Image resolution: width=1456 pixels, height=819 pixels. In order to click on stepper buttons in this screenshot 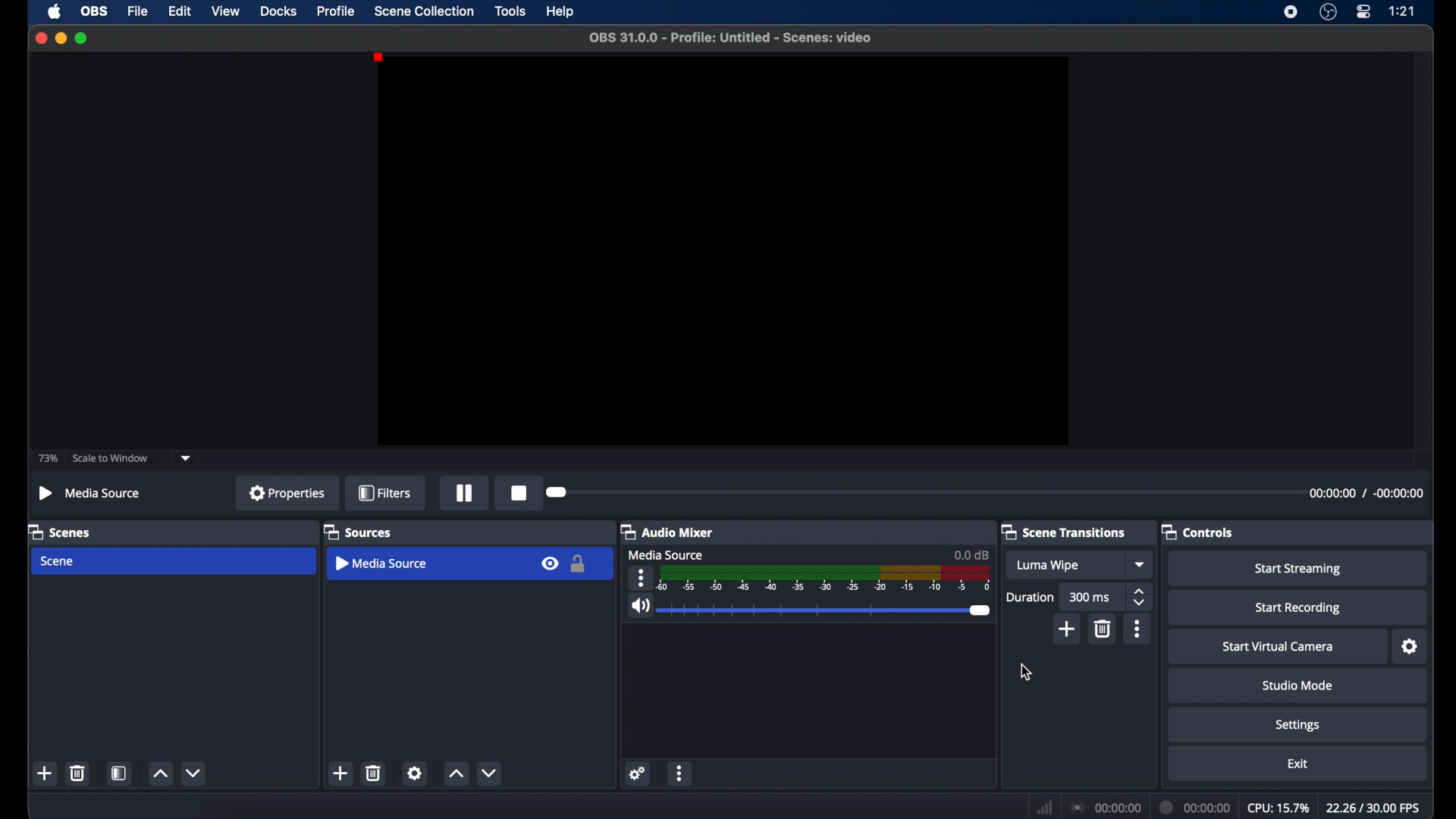, I will do `click(1141, 598)`.